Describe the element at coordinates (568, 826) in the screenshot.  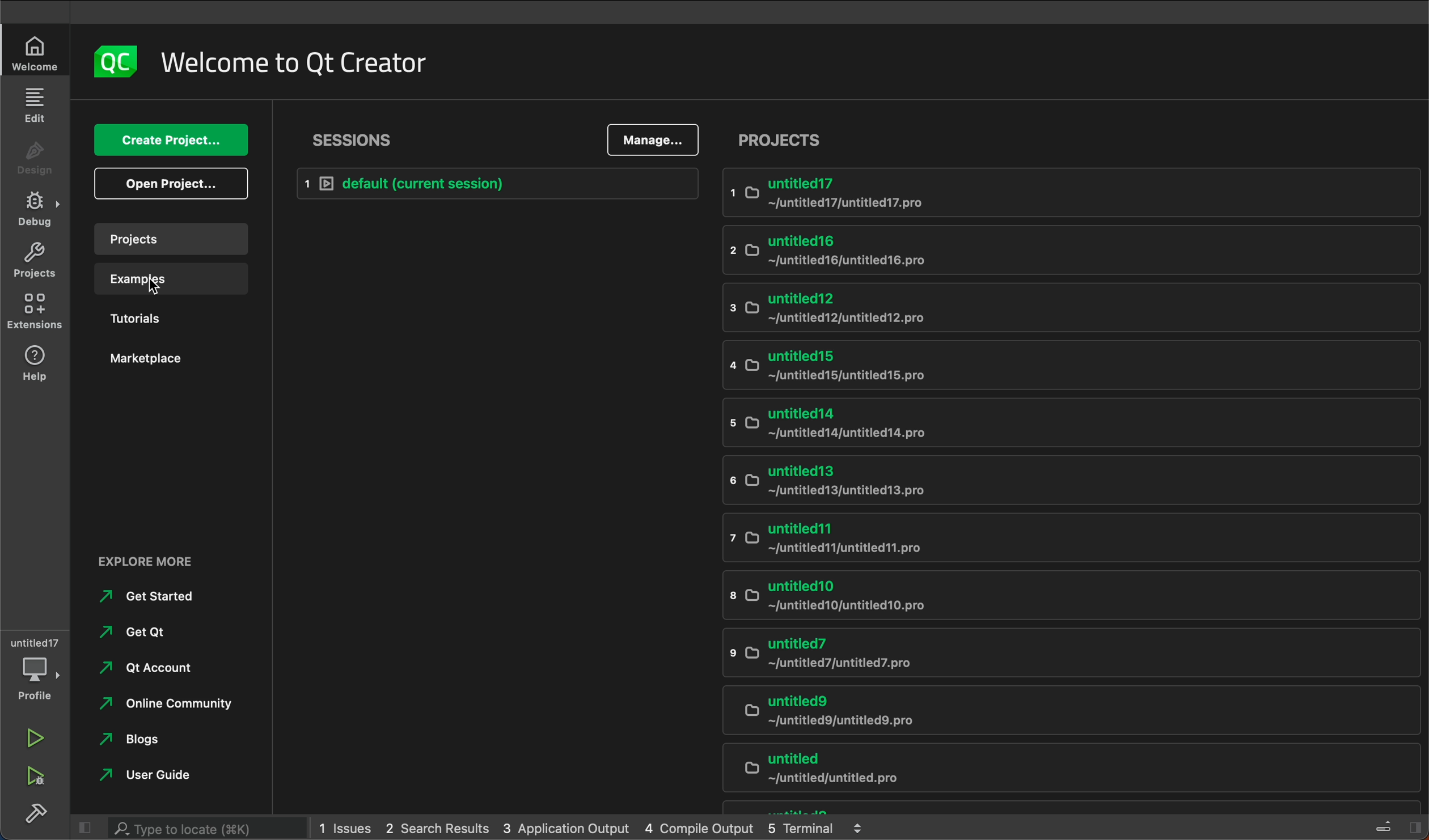
I see `application output` at that location.